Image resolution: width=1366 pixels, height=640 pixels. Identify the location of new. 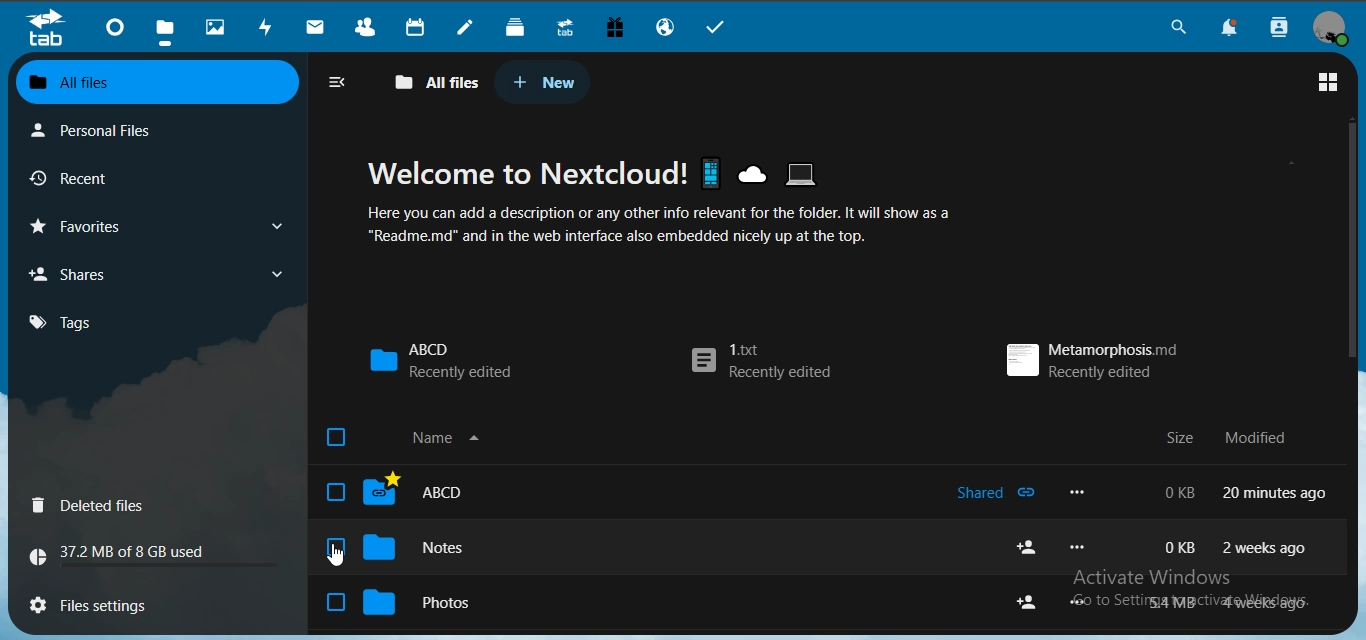
(544, 81).